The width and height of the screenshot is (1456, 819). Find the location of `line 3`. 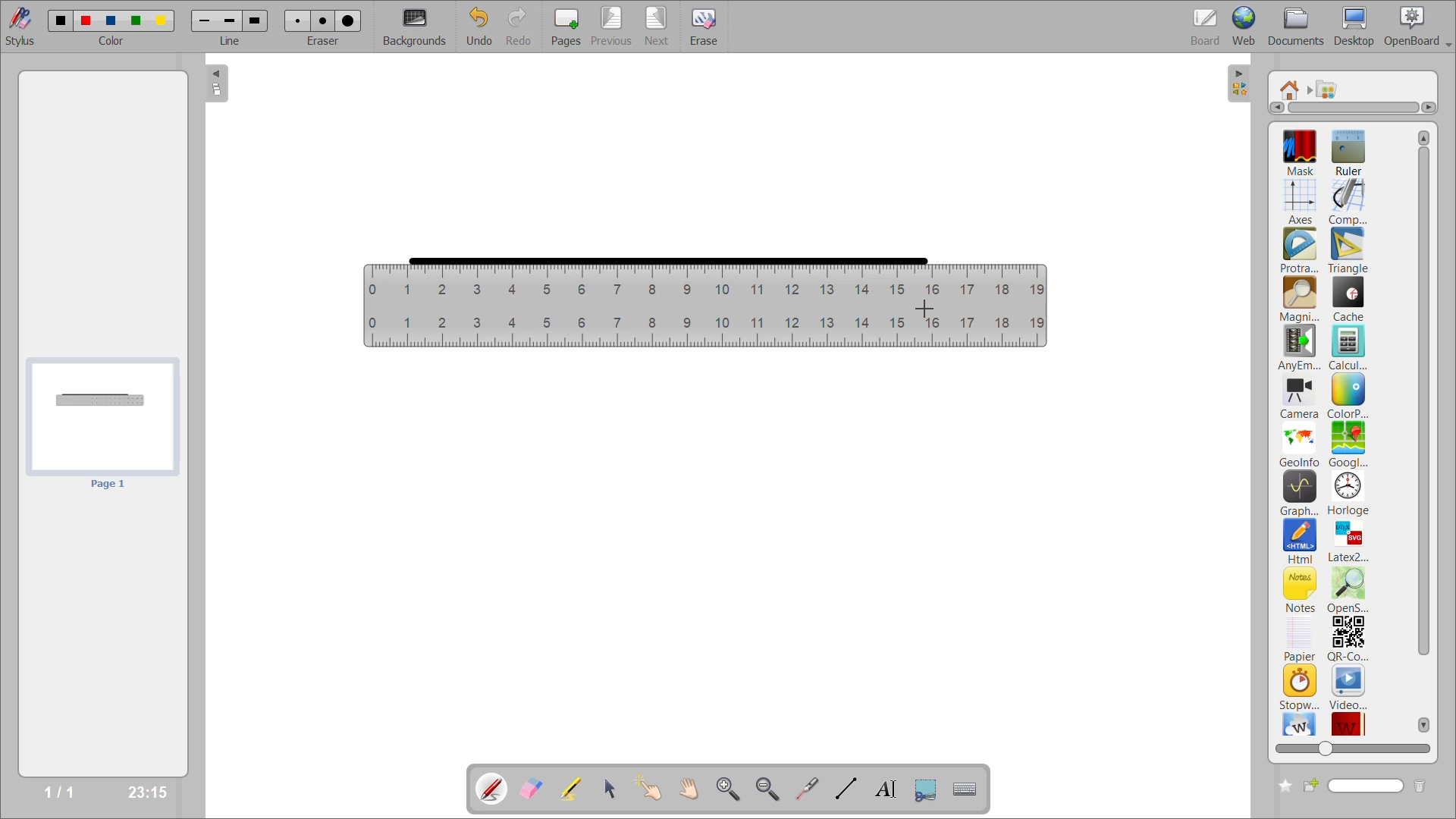

line 3 is located at coordinates (254, 22).